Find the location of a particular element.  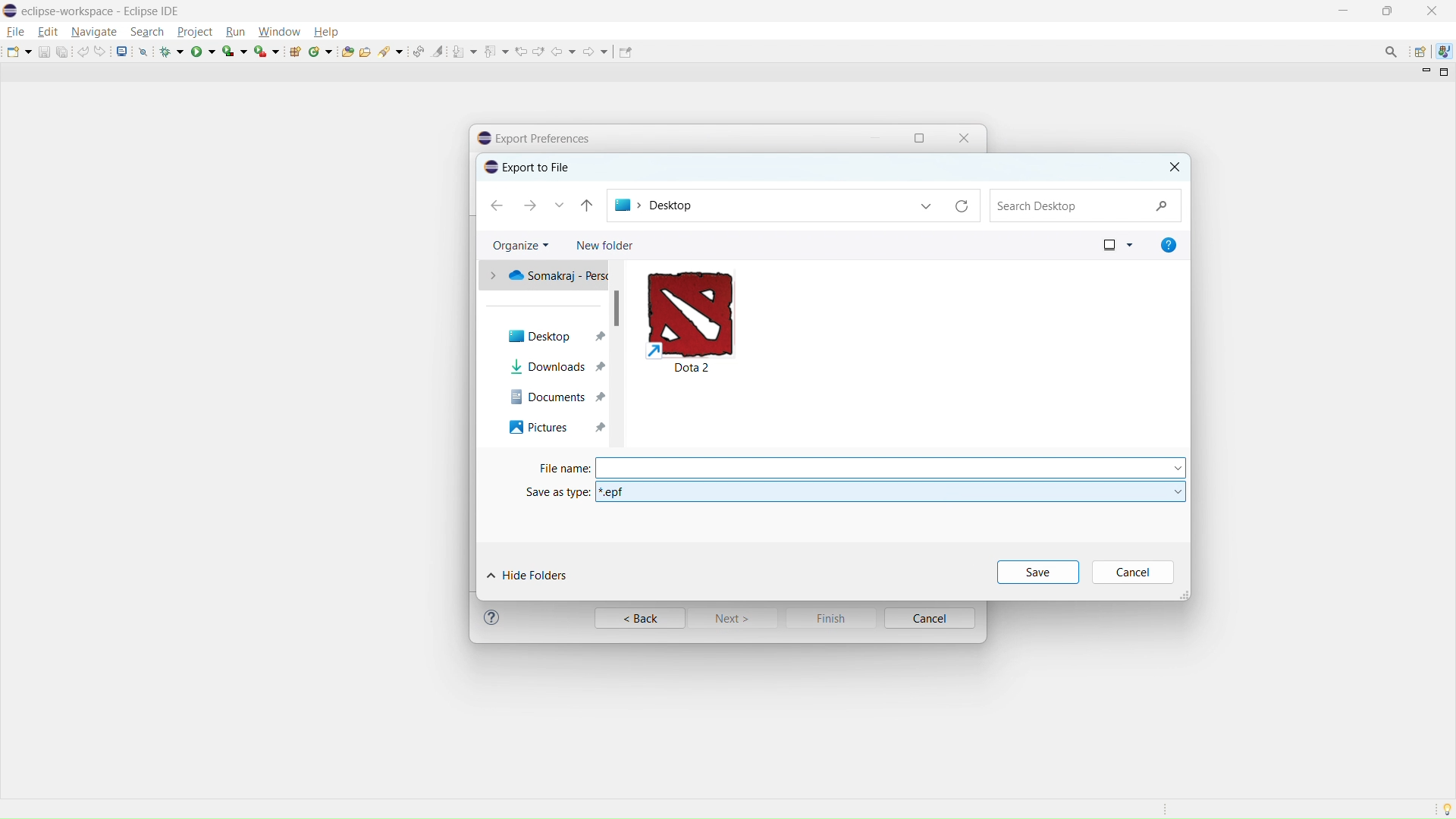

Somakraj-Pers is located at coordinates (549, 278).